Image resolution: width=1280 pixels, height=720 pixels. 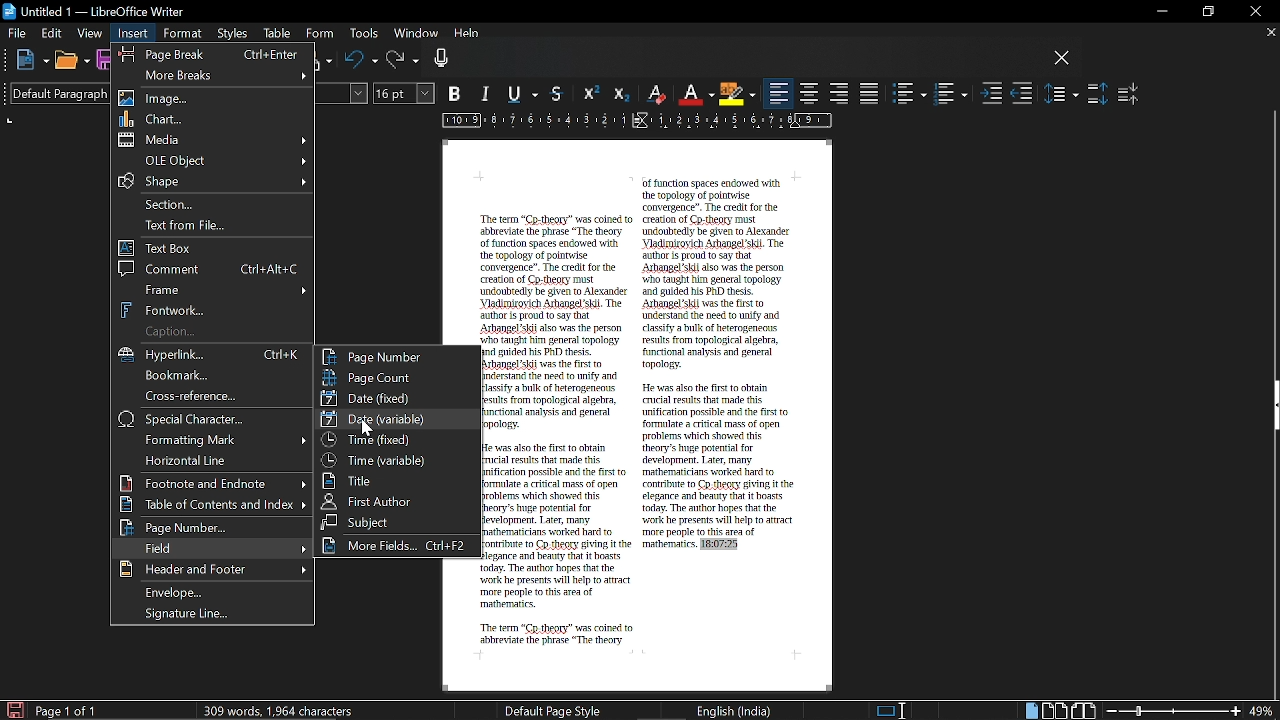 What do you see at coordinates (211, 528) in the screenshot?
I see `Page number` at bounding box center [211, 528].